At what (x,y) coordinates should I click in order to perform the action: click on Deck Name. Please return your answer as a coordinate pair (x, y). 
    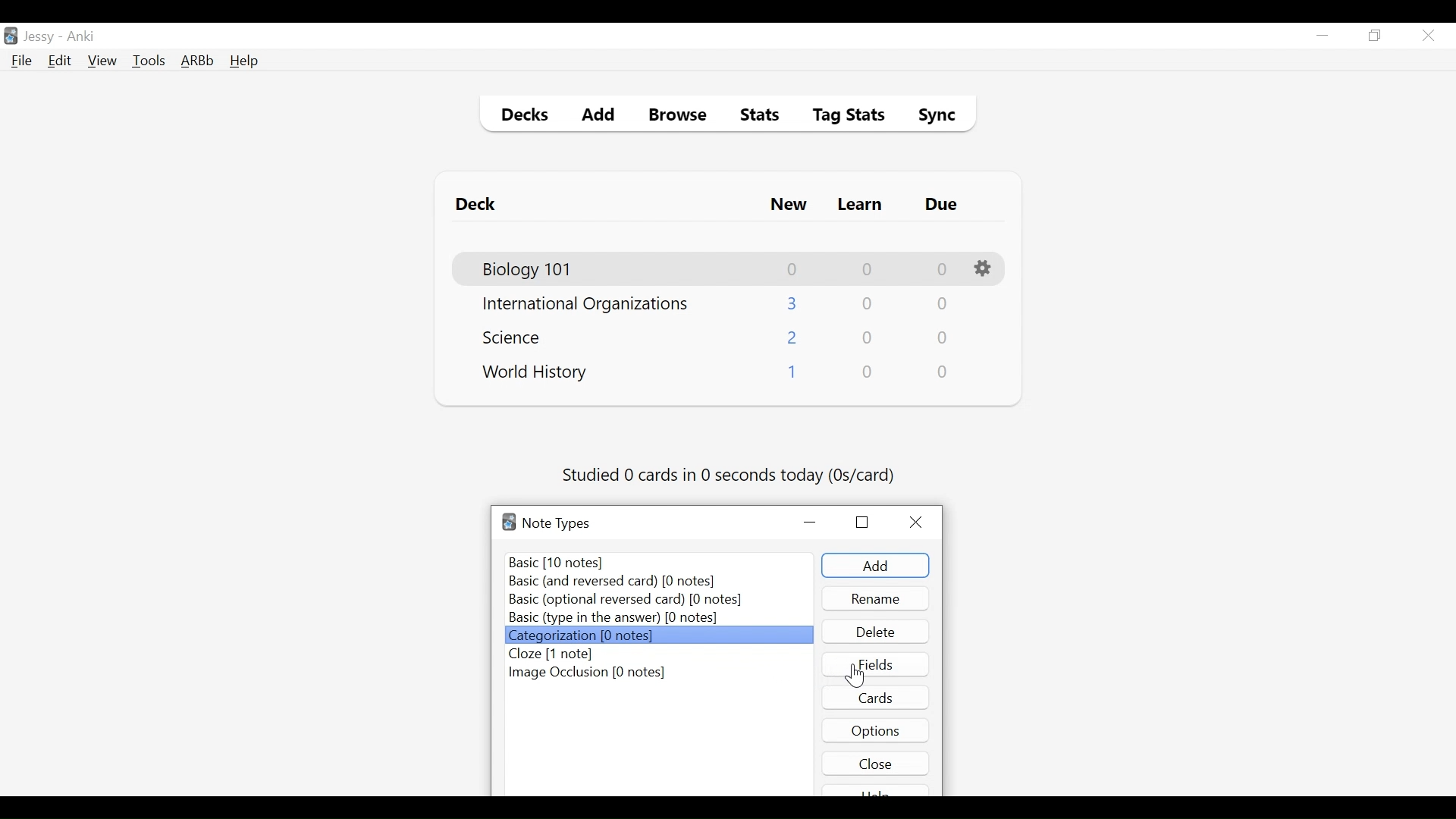
    Looking at the image, I should click on (585, 305).